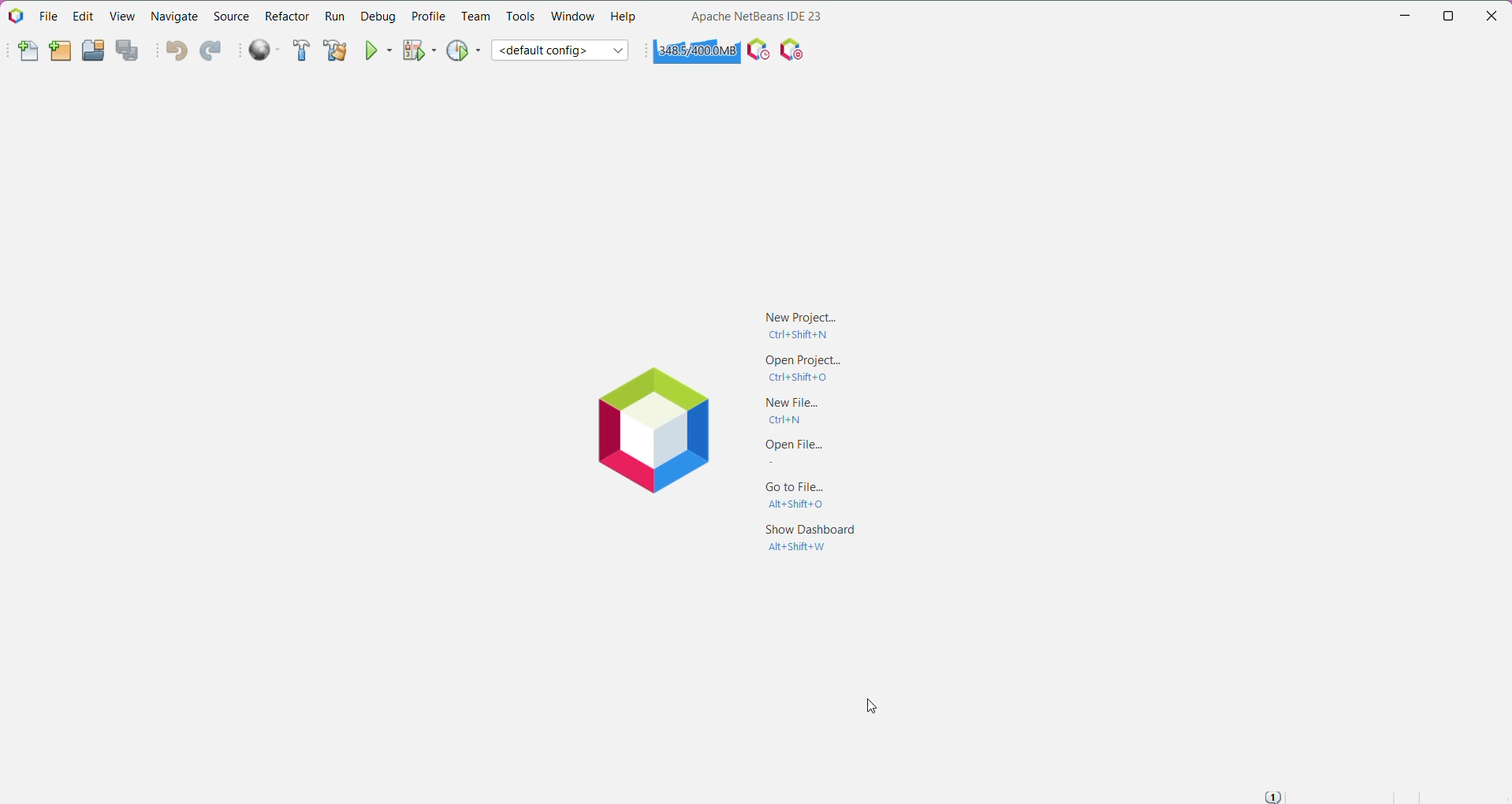  Describe the element at coordinates (658, 431) in the screenshot. I see `Application Logo` at that location.